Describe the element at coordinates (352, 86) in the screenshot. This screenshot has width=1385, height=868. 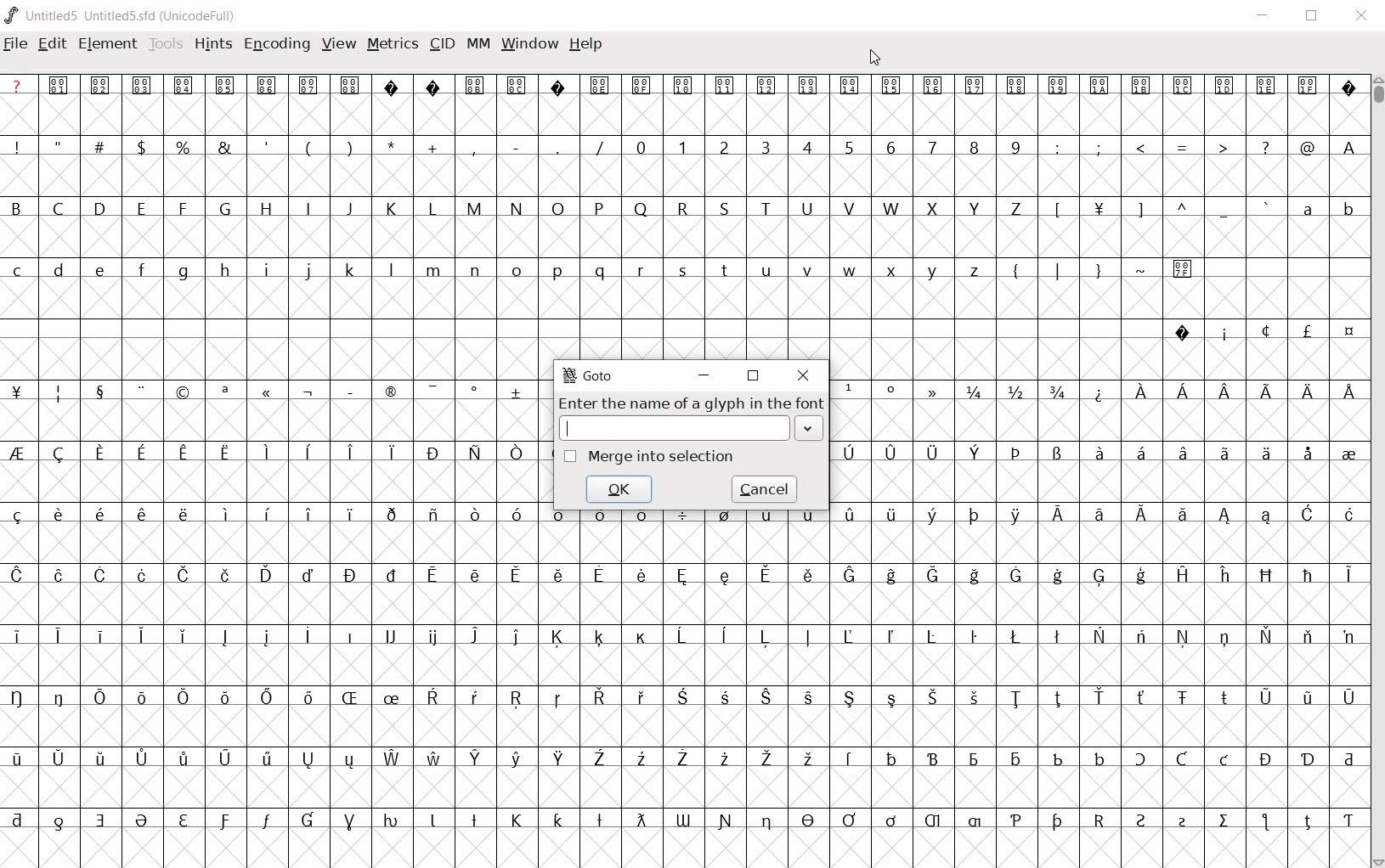
I see `` at that location.